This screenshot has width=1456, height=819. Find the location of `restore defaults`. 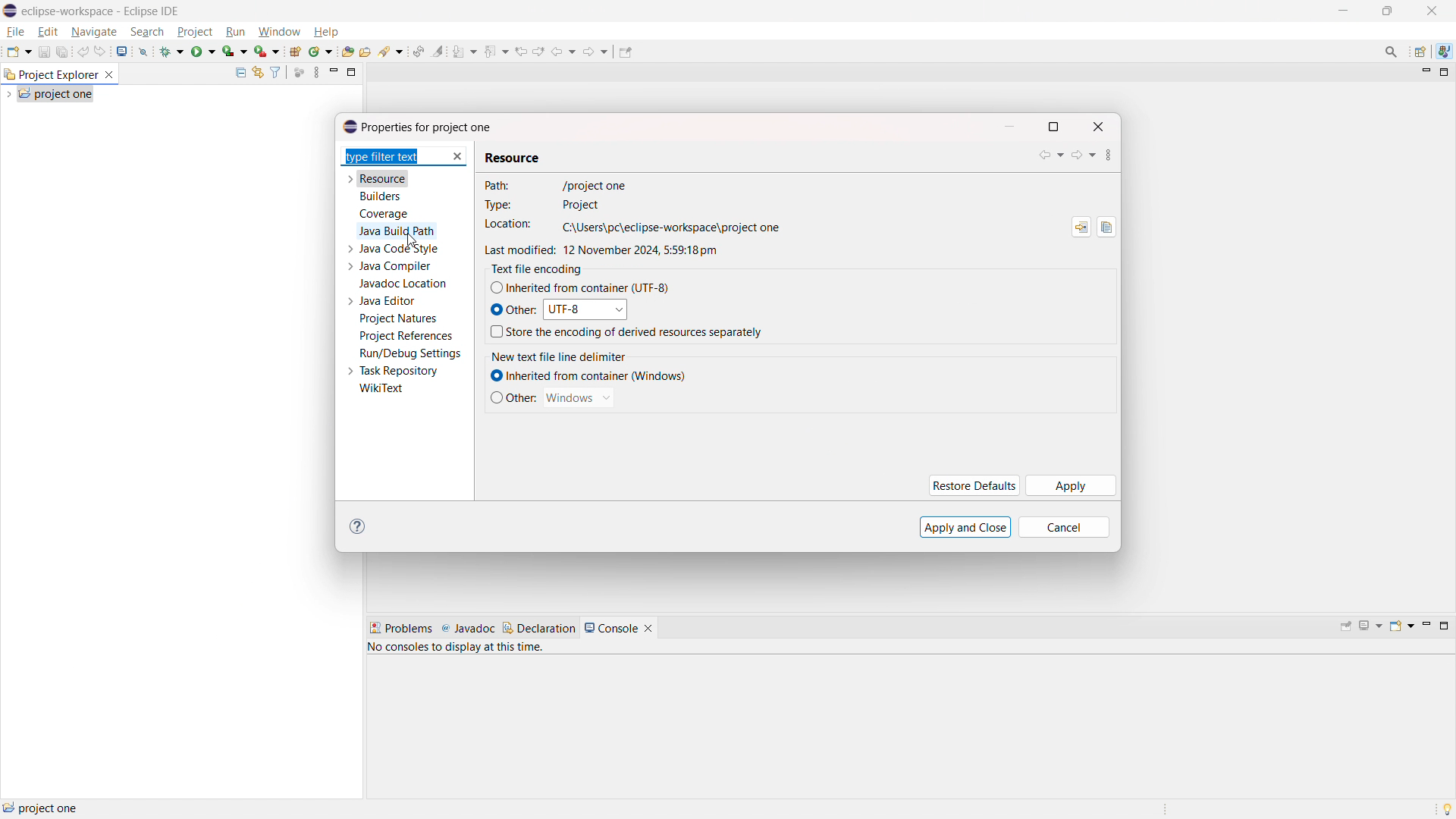

restore defaults is located at coordinates (973, 485).